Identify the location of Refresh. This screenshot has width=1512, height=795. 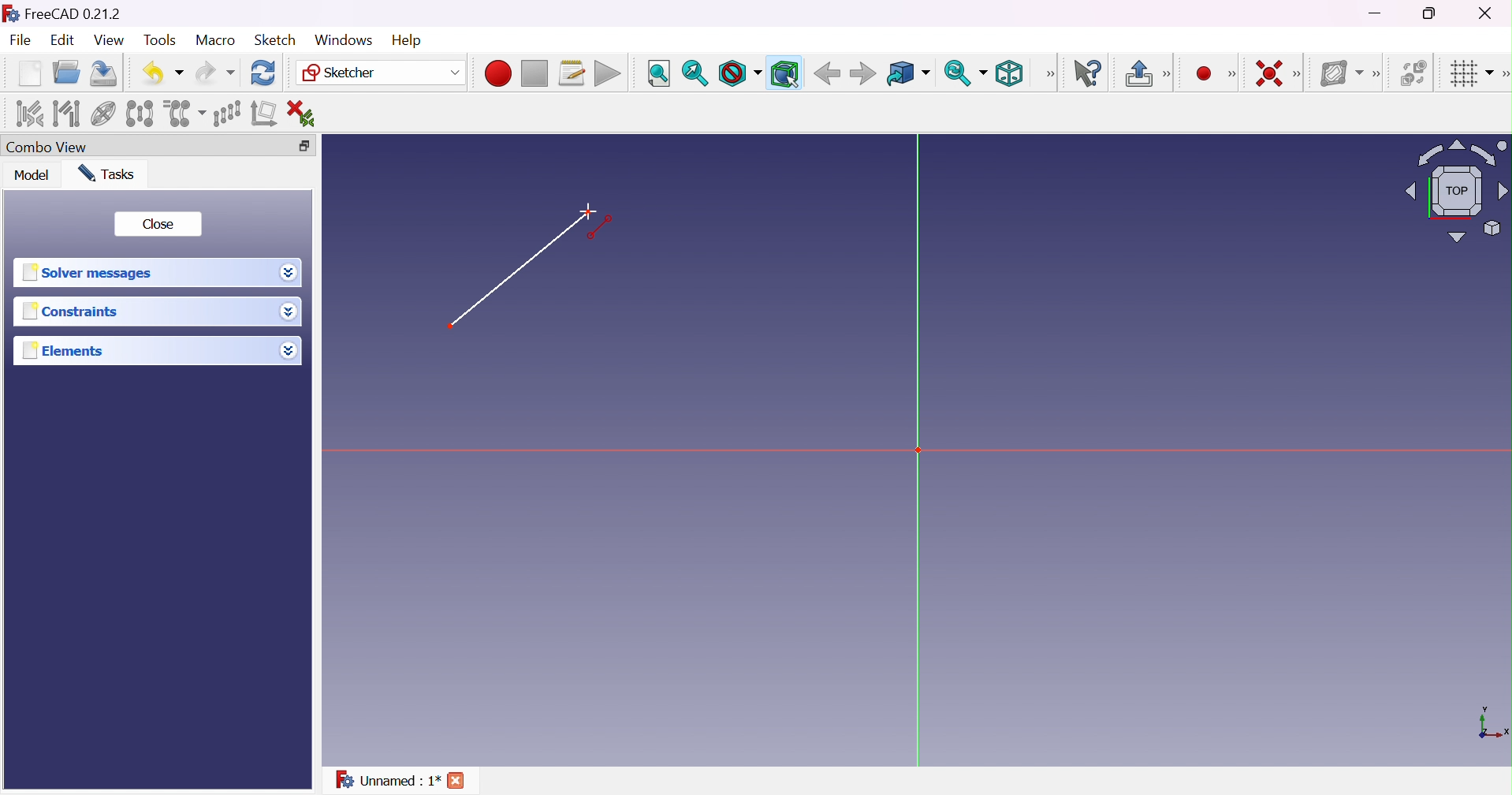
(264, 73).